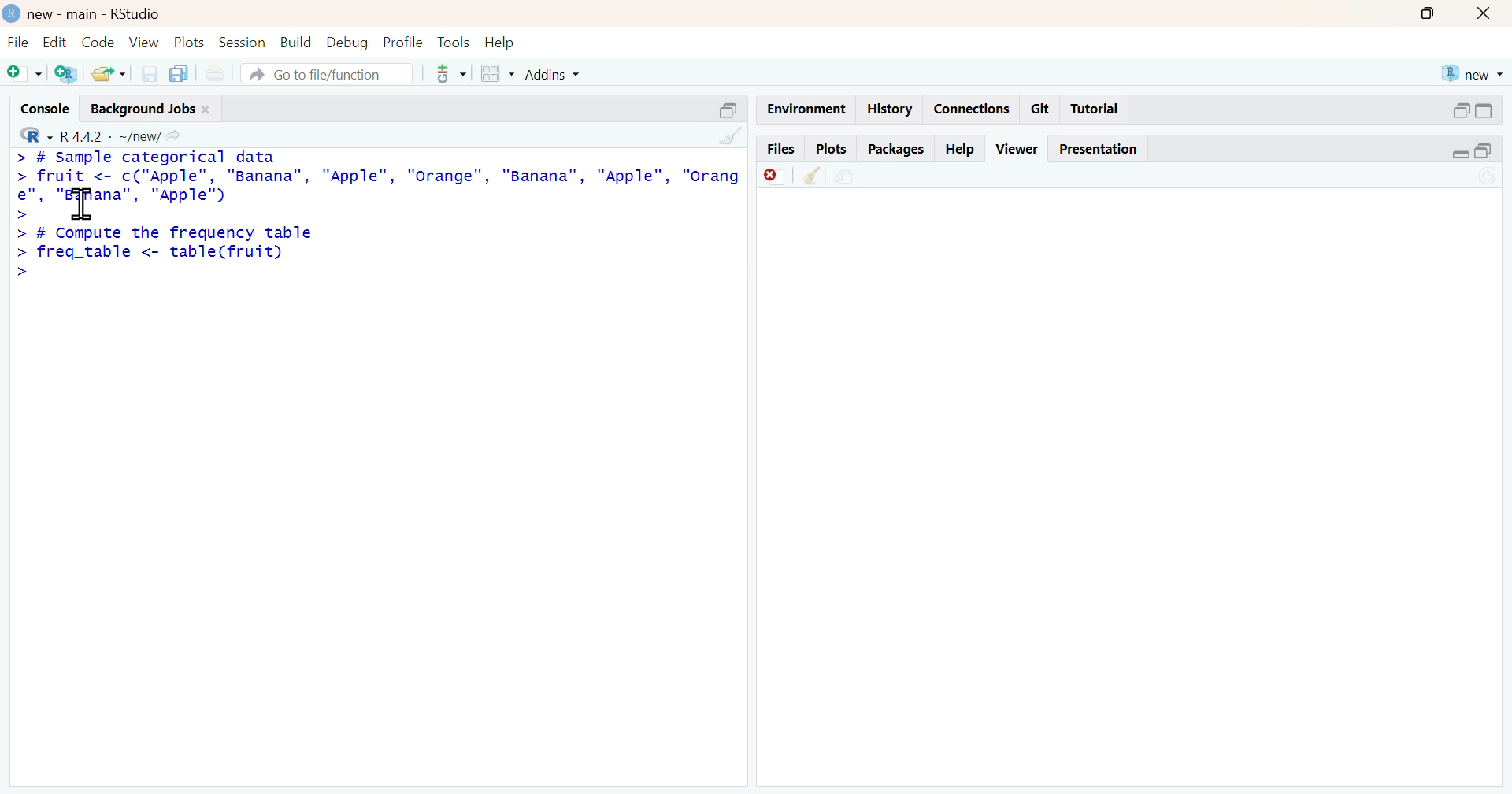  Describe the element at coordinates (1369, 15) in the screenshot. I see `minimize` at that location.